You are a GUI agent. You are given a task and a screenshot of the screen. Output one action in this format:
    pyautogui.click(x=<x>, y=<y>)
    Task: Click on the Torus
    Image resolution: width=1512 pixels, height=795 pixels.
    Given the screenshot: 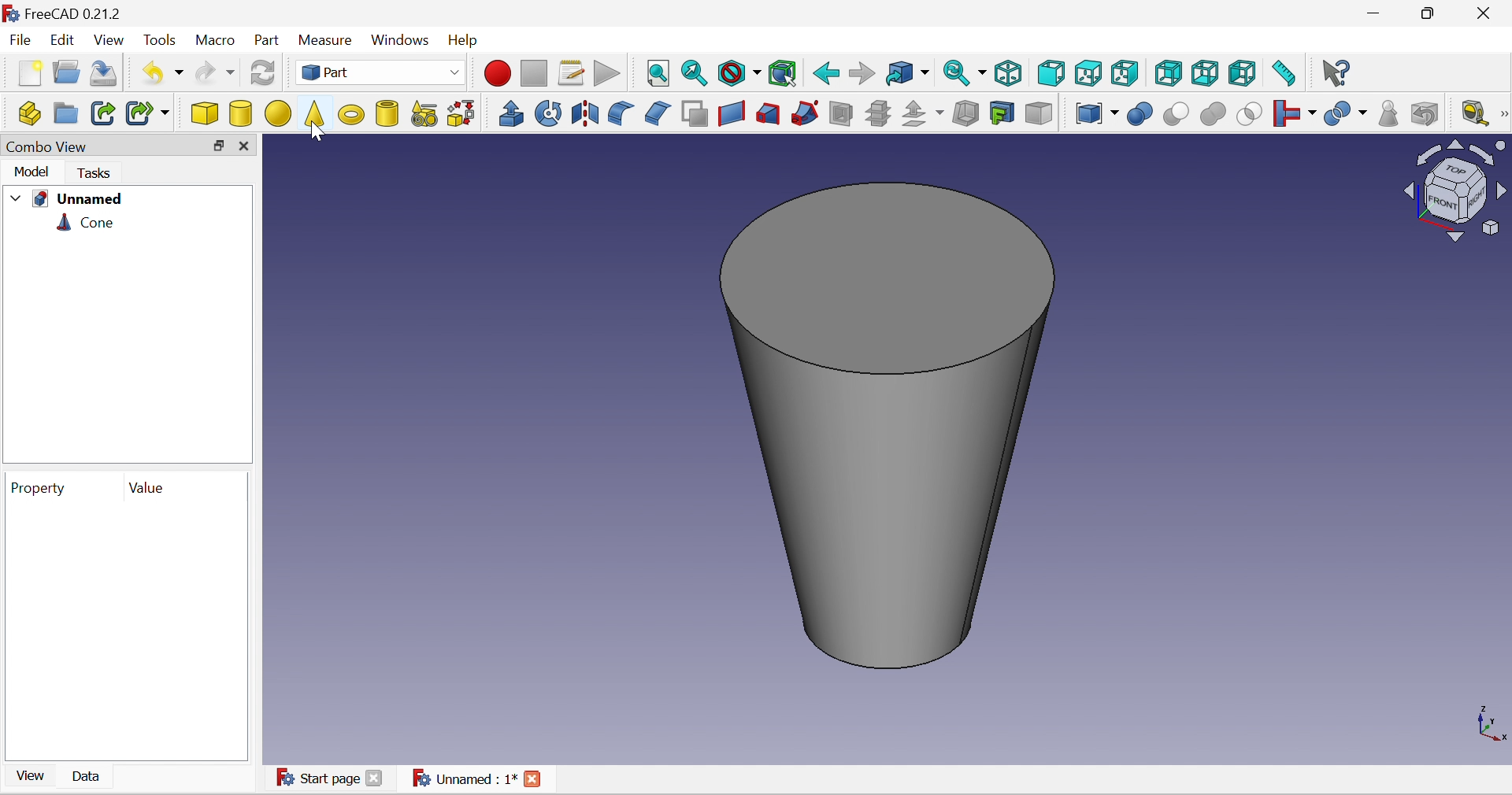 What is the action you would take?
    pyautogui.click(x=354, y=116)
    